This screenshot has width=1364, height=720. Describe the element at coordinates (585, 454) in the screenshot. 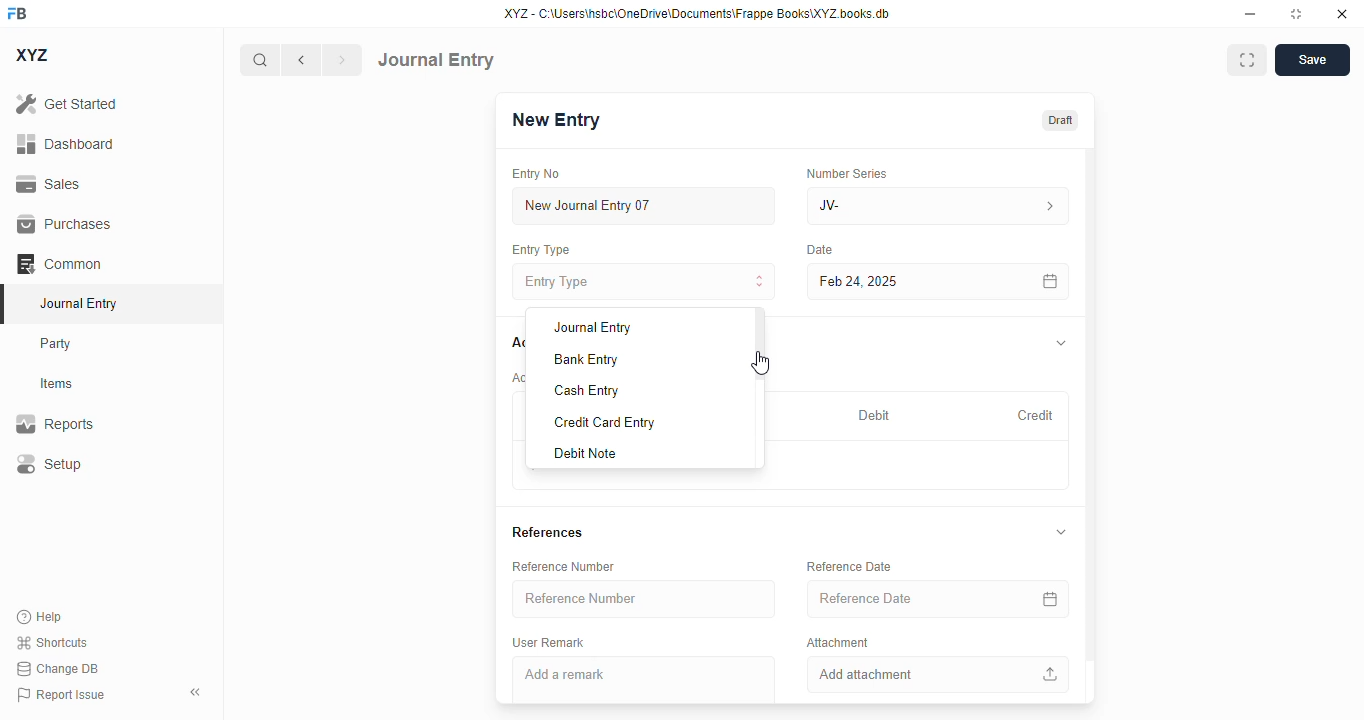

I see `debit note` at that location.